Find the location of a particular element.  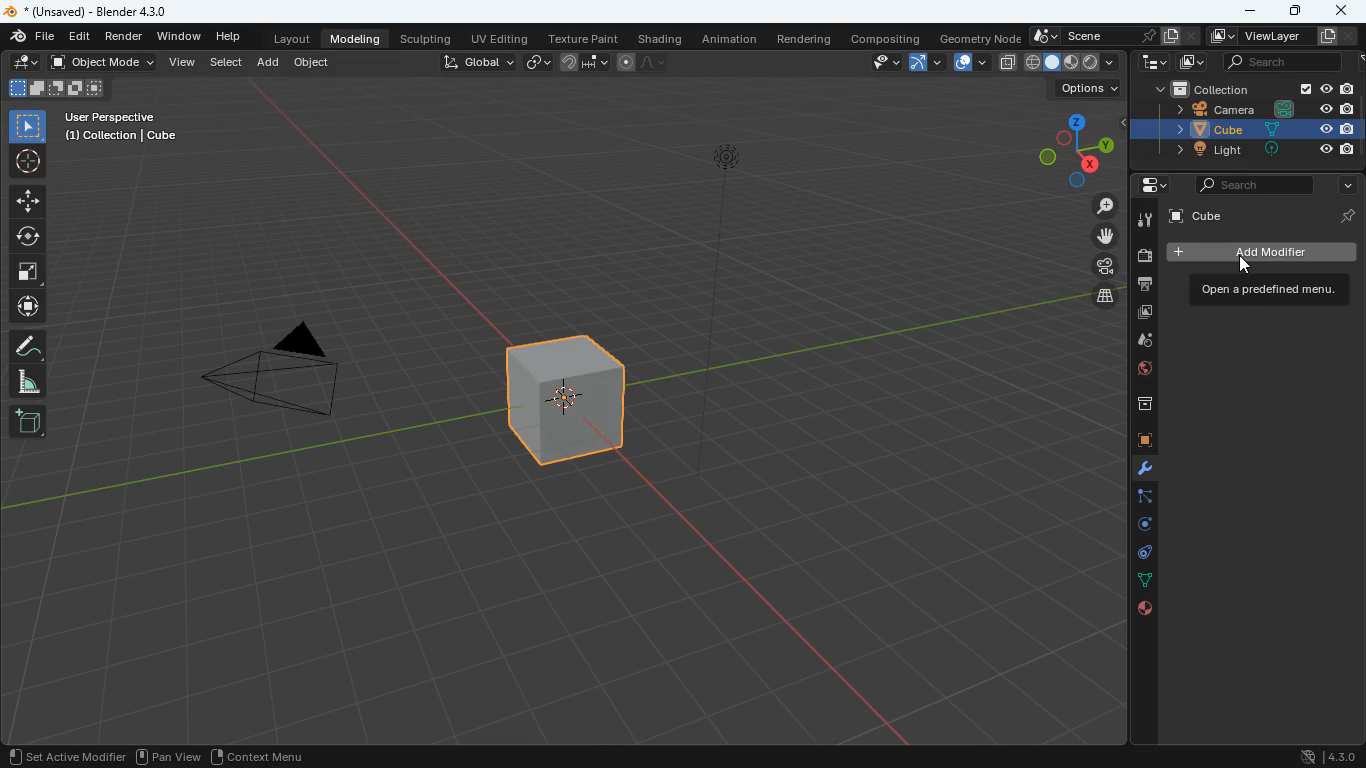

light is located at coordinates (1261, 149).